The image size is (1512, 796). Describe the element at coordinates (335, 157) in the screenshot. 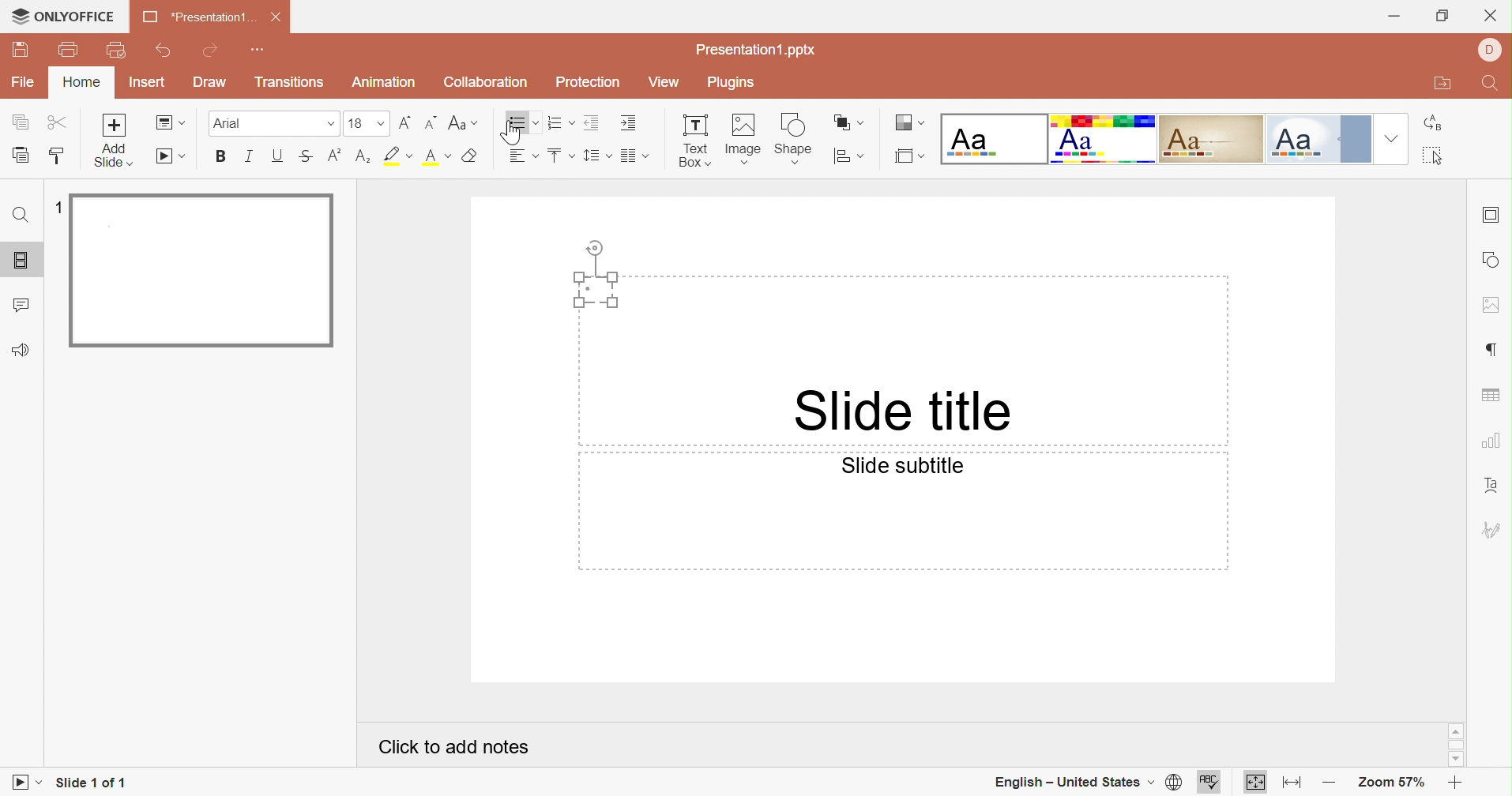

I see `Subscript` at that location.